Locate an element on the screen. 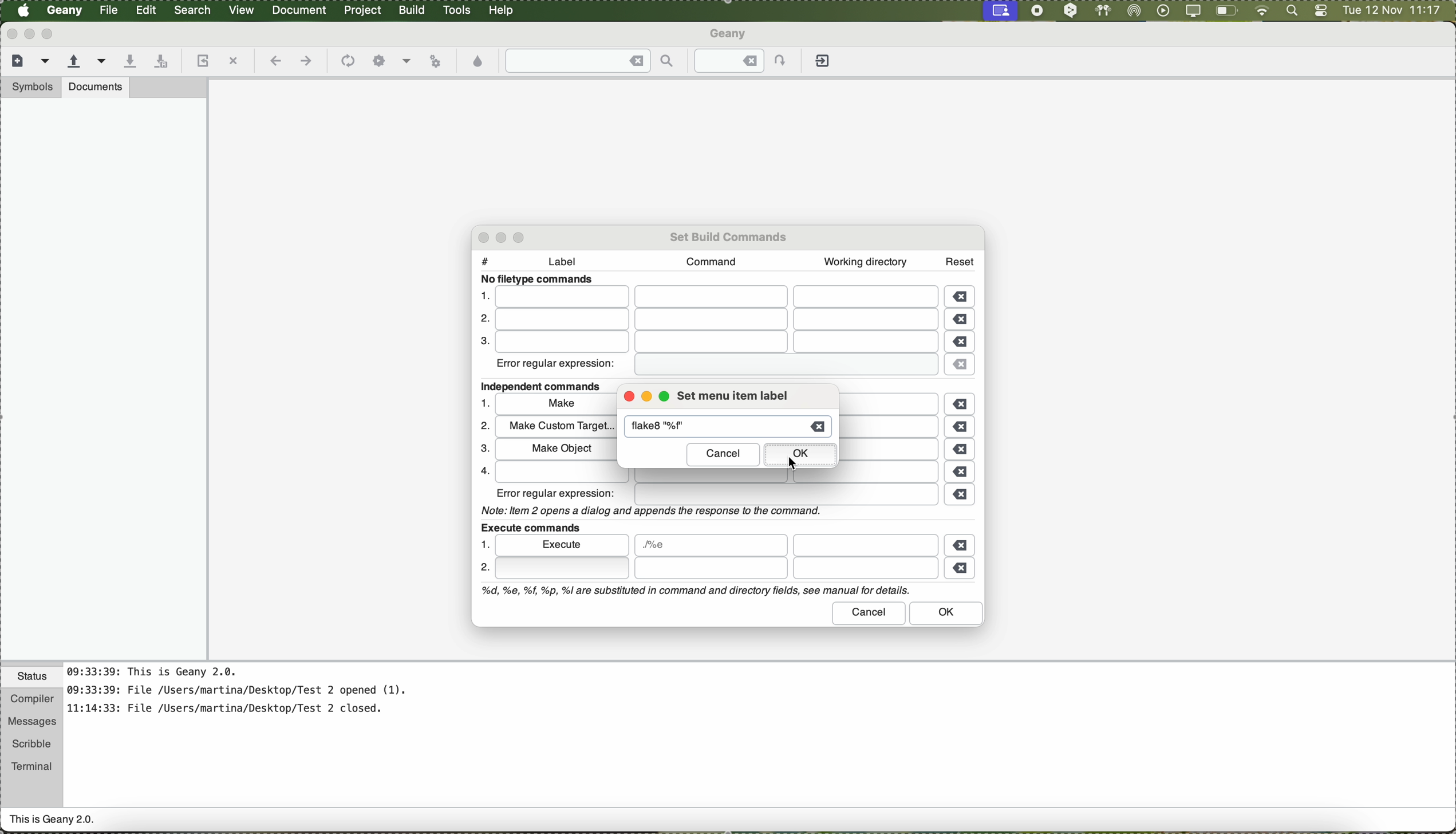 The height and width of the screenshot is (834, 1456). icon is located at coordinates (379, 61).